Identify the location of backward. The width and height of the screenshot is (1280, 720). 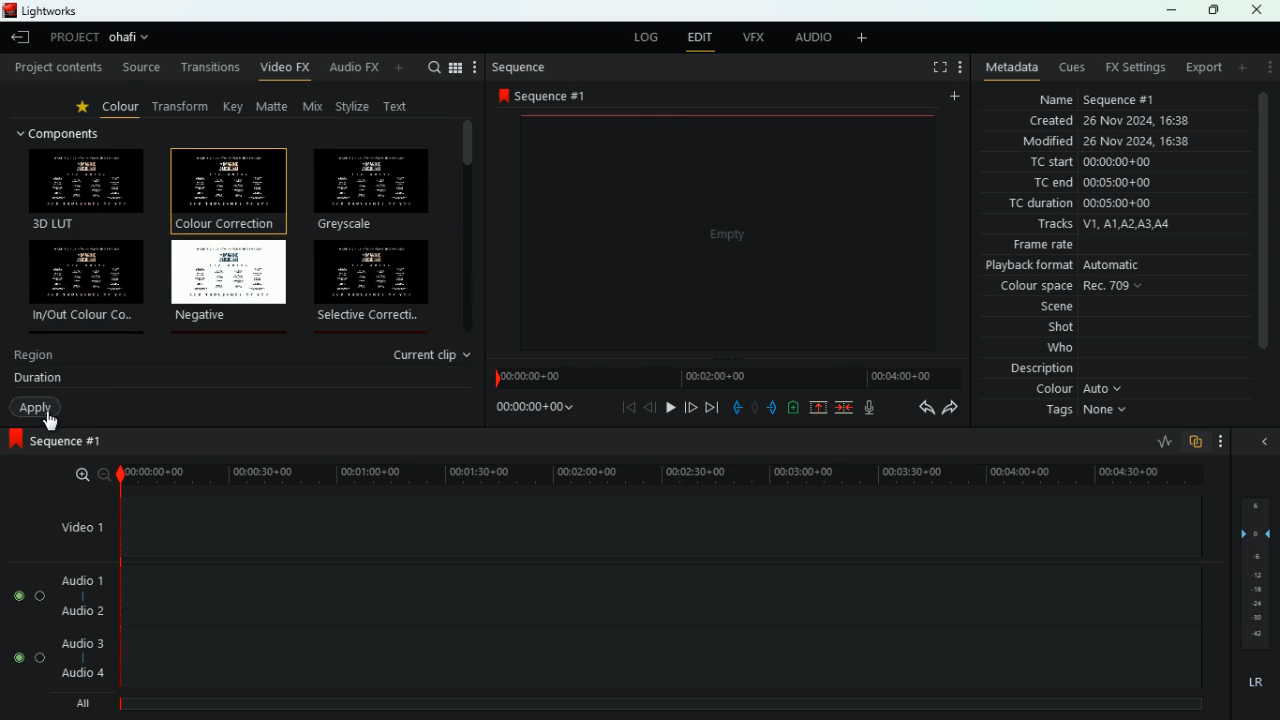
(921, 408).